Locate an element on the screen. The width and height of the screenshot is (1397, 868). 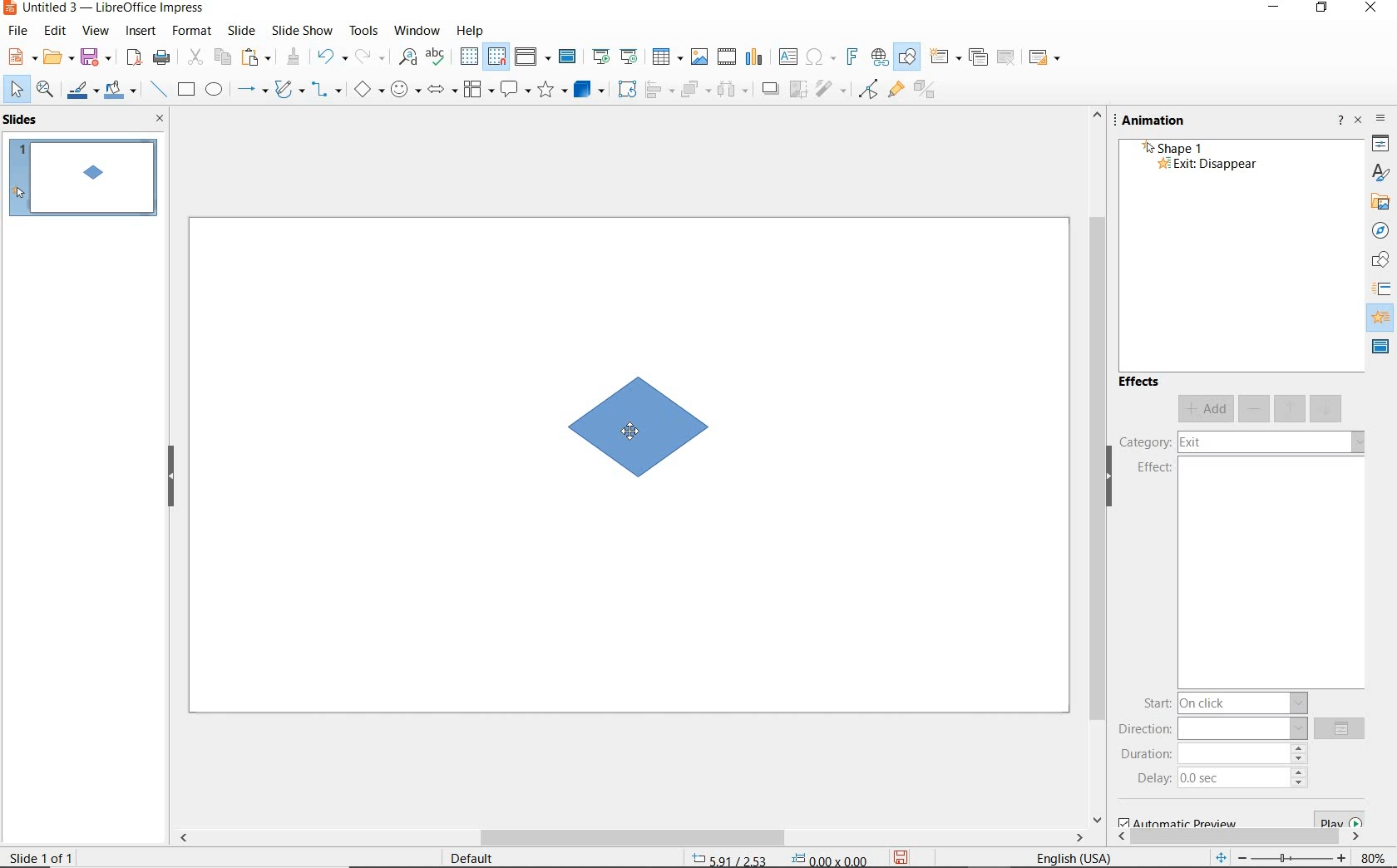
master slide is located at coordinates (570, 57).